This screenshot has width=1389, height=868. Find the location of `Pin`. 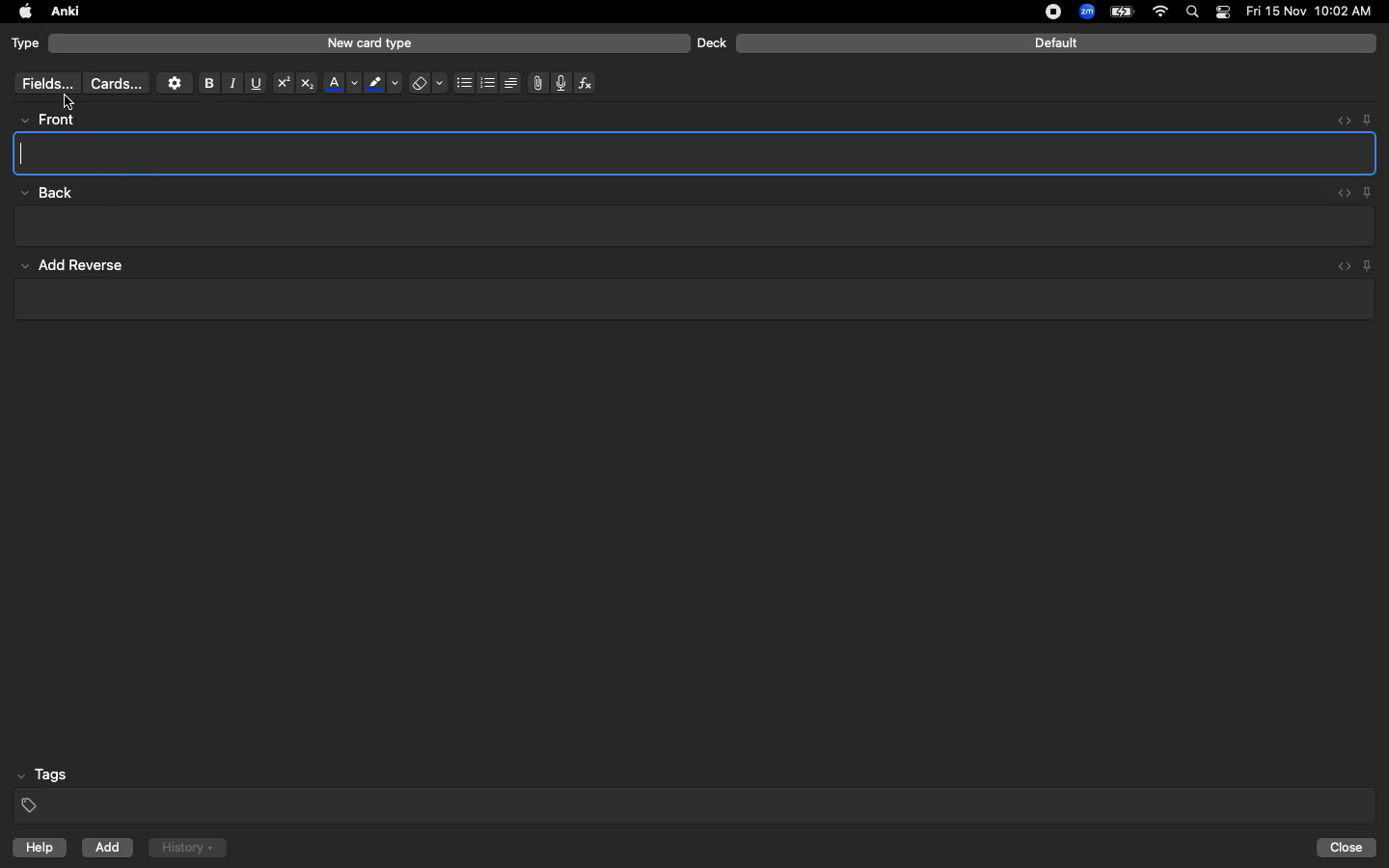

Pin is located at coordinates (1369, 192).